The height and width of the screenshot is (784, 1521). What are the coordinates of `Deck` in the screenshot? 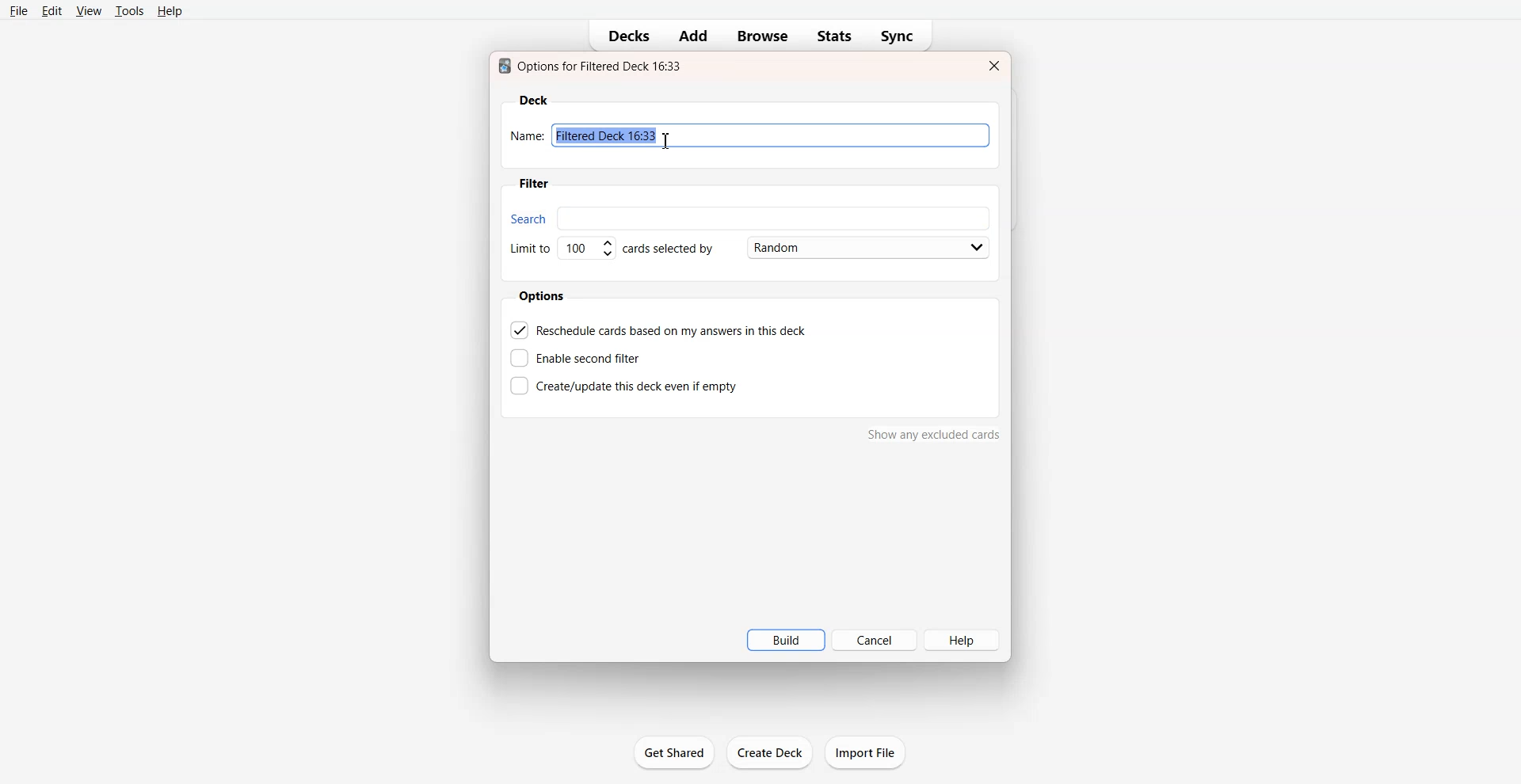 It's located at (534, 101).